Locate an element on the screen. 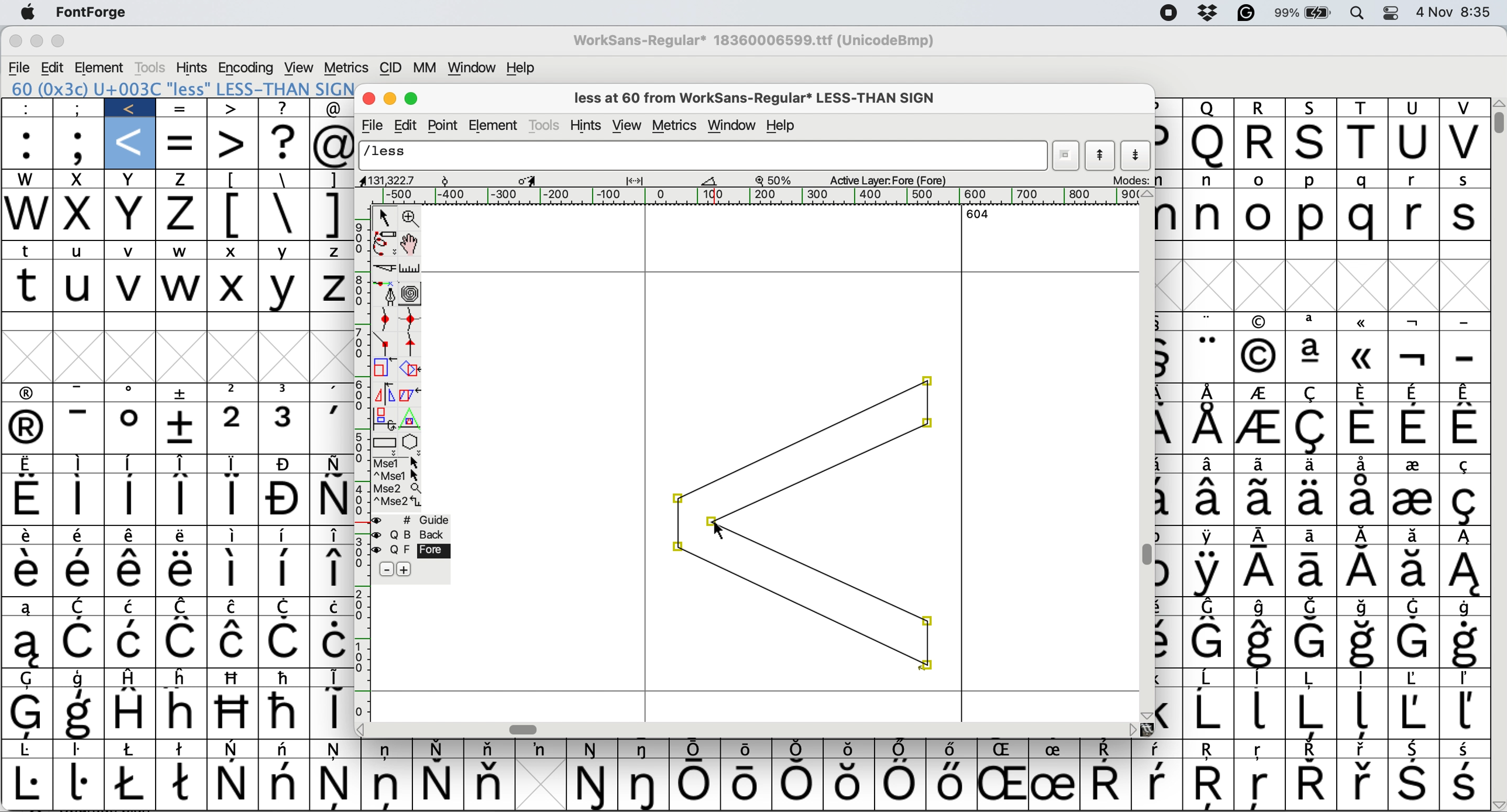 The height and width of the screenshot is (812, 1507). r is located at coordinates (1264, 143).